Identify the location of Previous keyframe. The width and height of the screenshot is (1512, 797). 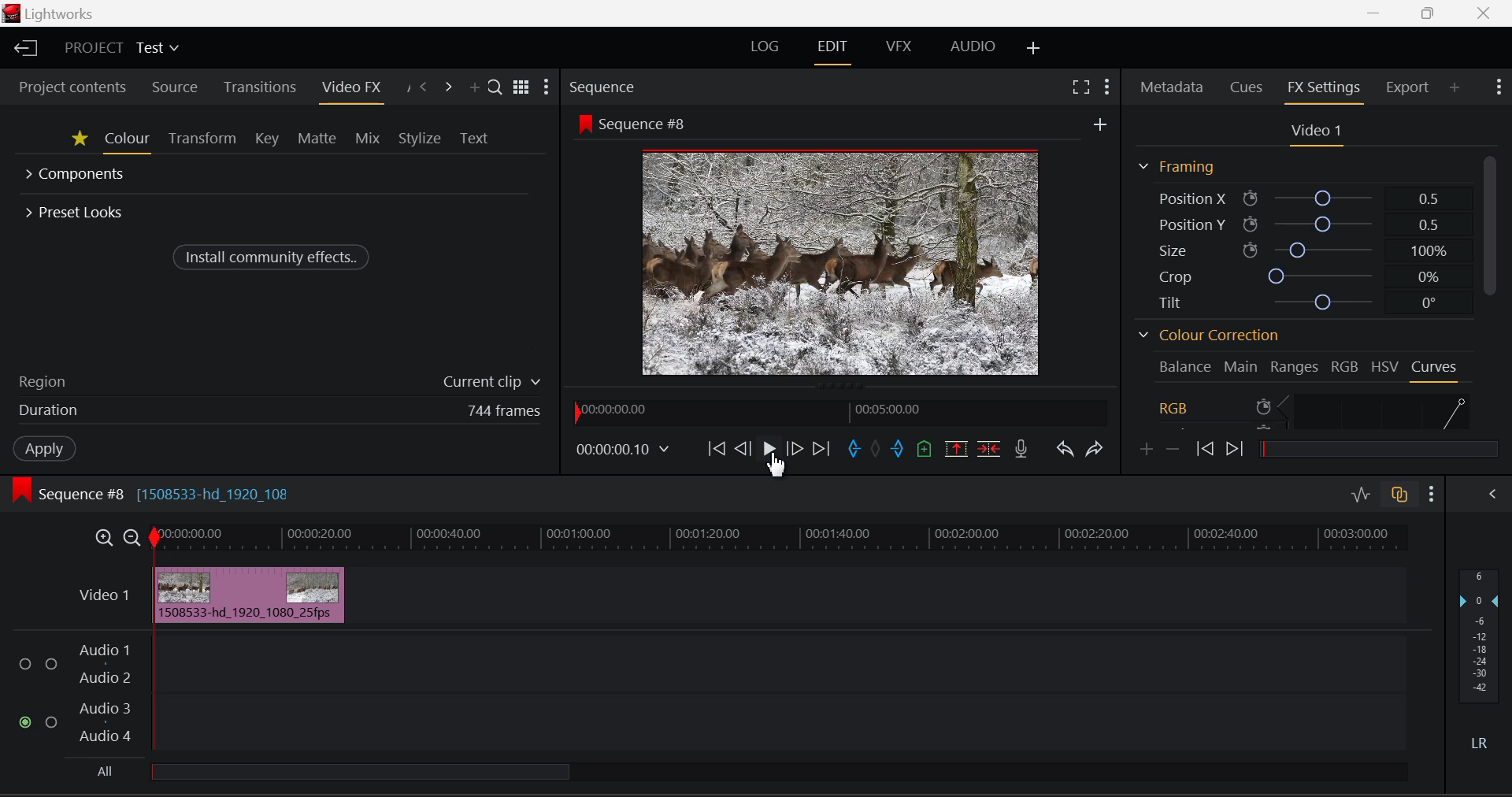
(1205, 448).